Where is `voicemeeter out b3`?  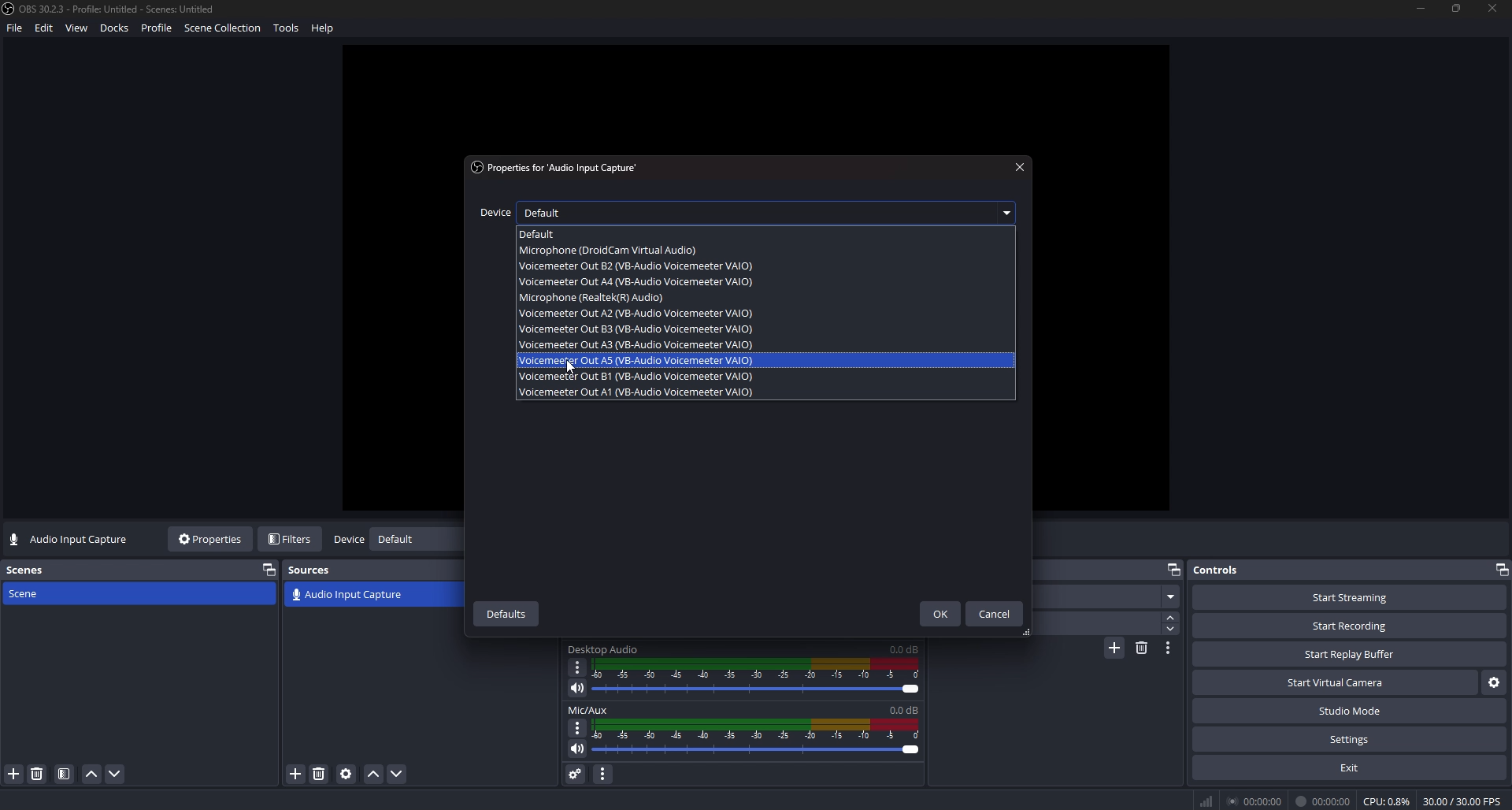 voicemeeter out b3 is located at coordinates (637, 329).